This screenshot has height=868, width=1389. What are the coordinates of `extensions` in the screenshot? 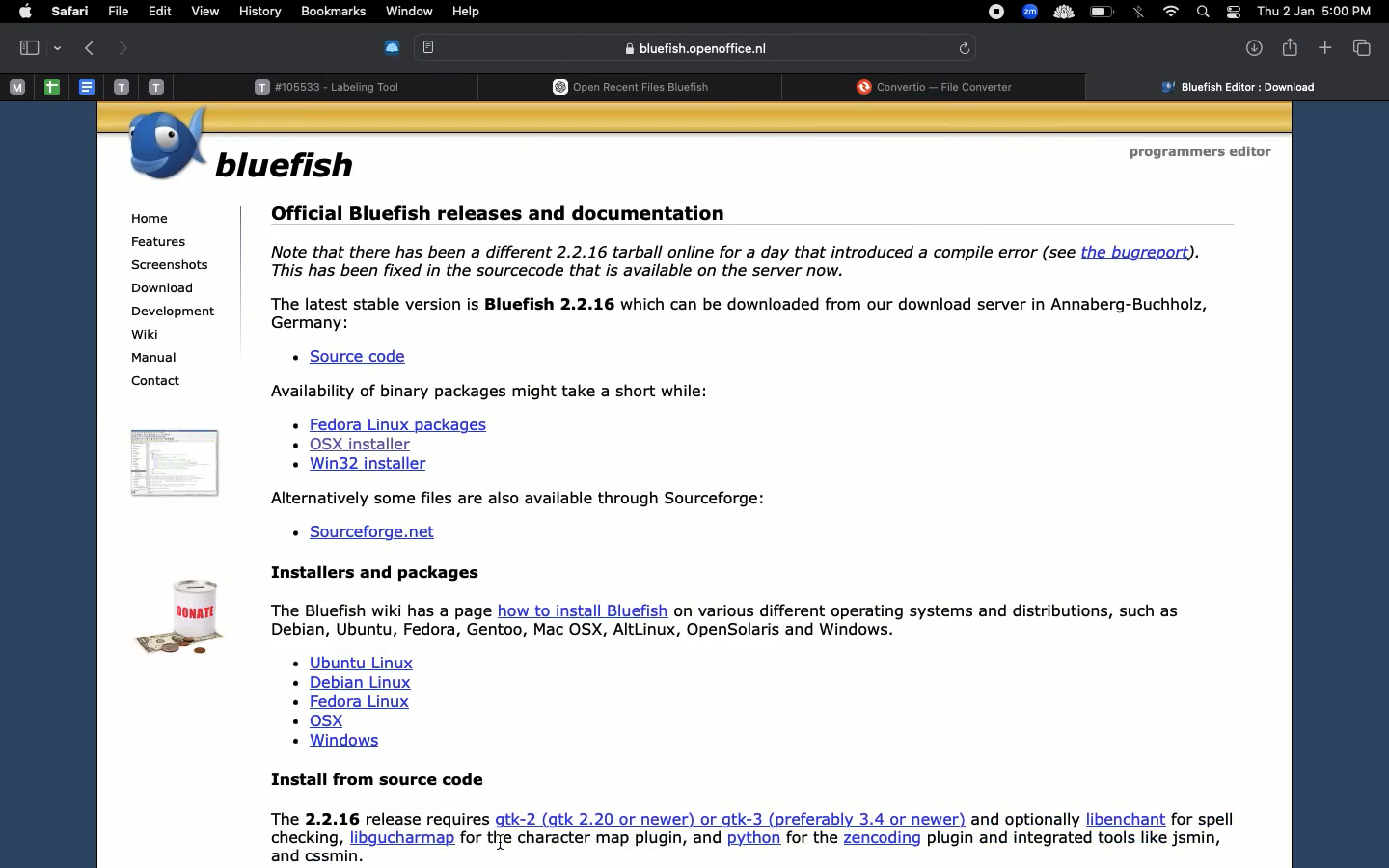 It's located at (1032, 14).